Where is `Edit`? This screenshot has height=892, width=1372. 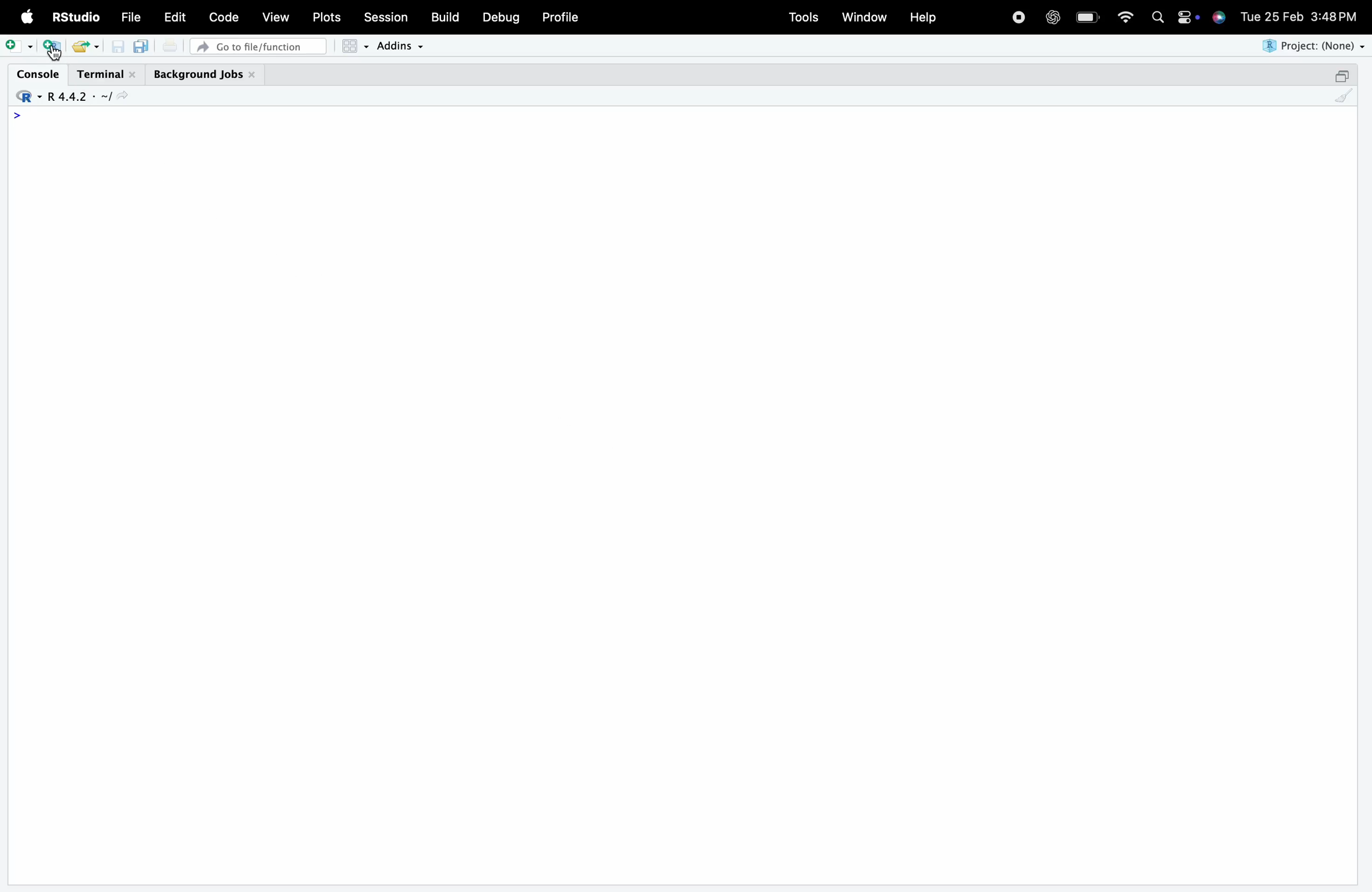
Edit is located at coordinates (175, 17).